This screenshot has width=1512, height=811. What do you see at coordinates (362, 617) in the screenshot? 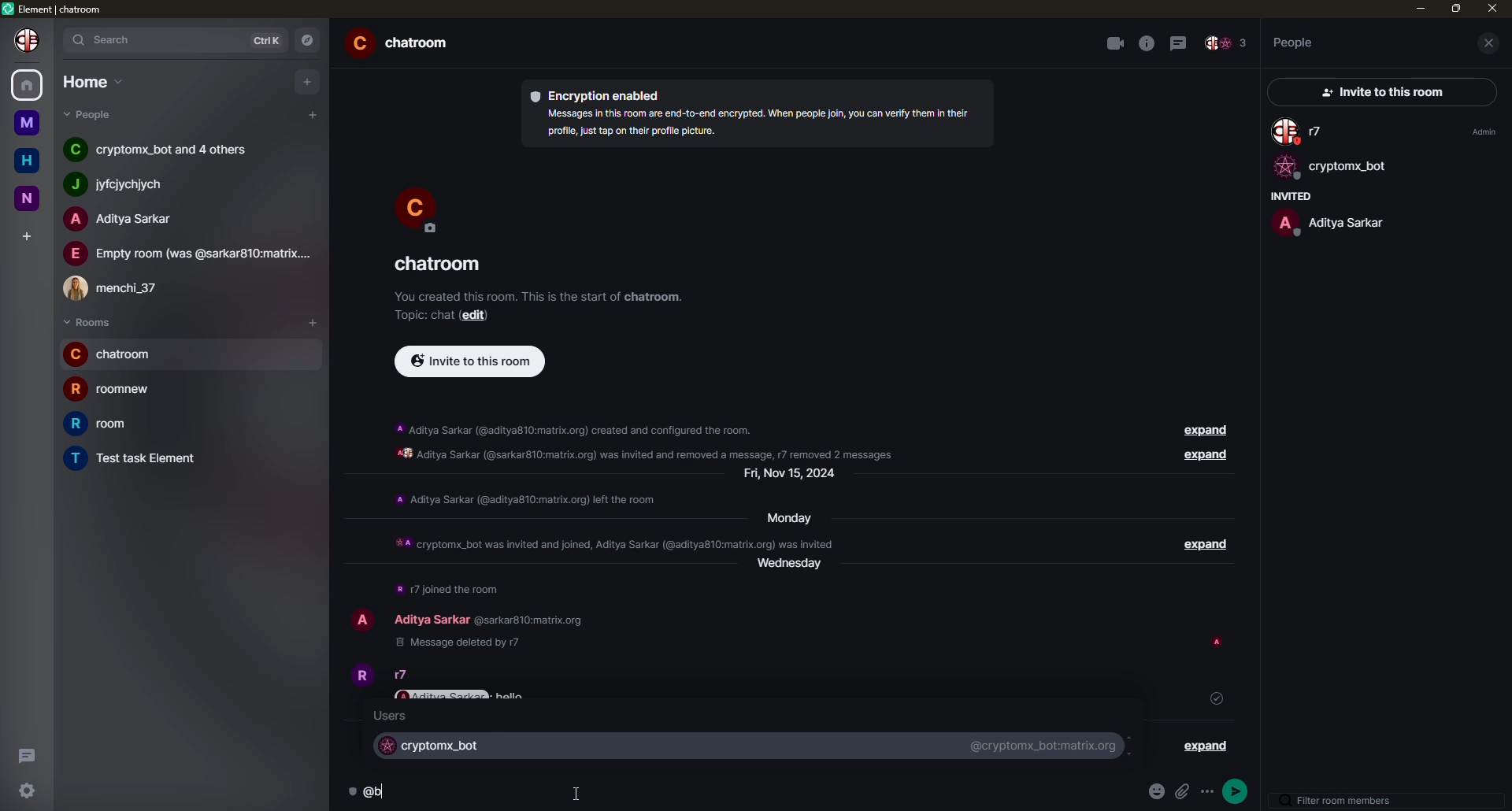
I see `profile` at bounding box center [362, 617].